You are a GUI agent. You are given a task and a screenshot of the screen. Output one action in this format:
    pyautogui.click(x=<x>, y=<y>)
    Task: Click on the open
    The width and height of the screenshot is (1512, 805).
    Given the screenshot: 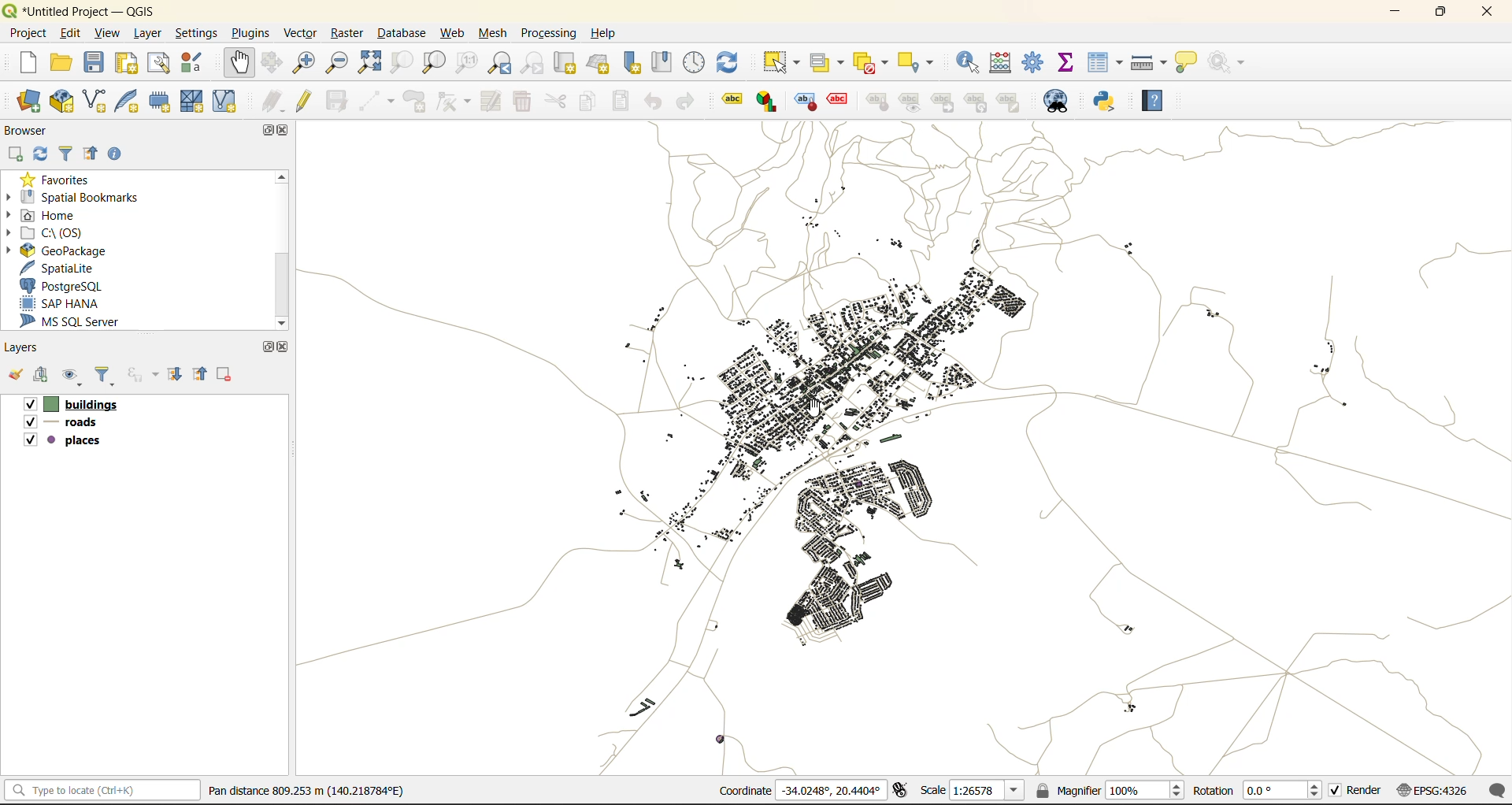 What is the action you would take?
    pyautogui.click(x=61, y=63)
    